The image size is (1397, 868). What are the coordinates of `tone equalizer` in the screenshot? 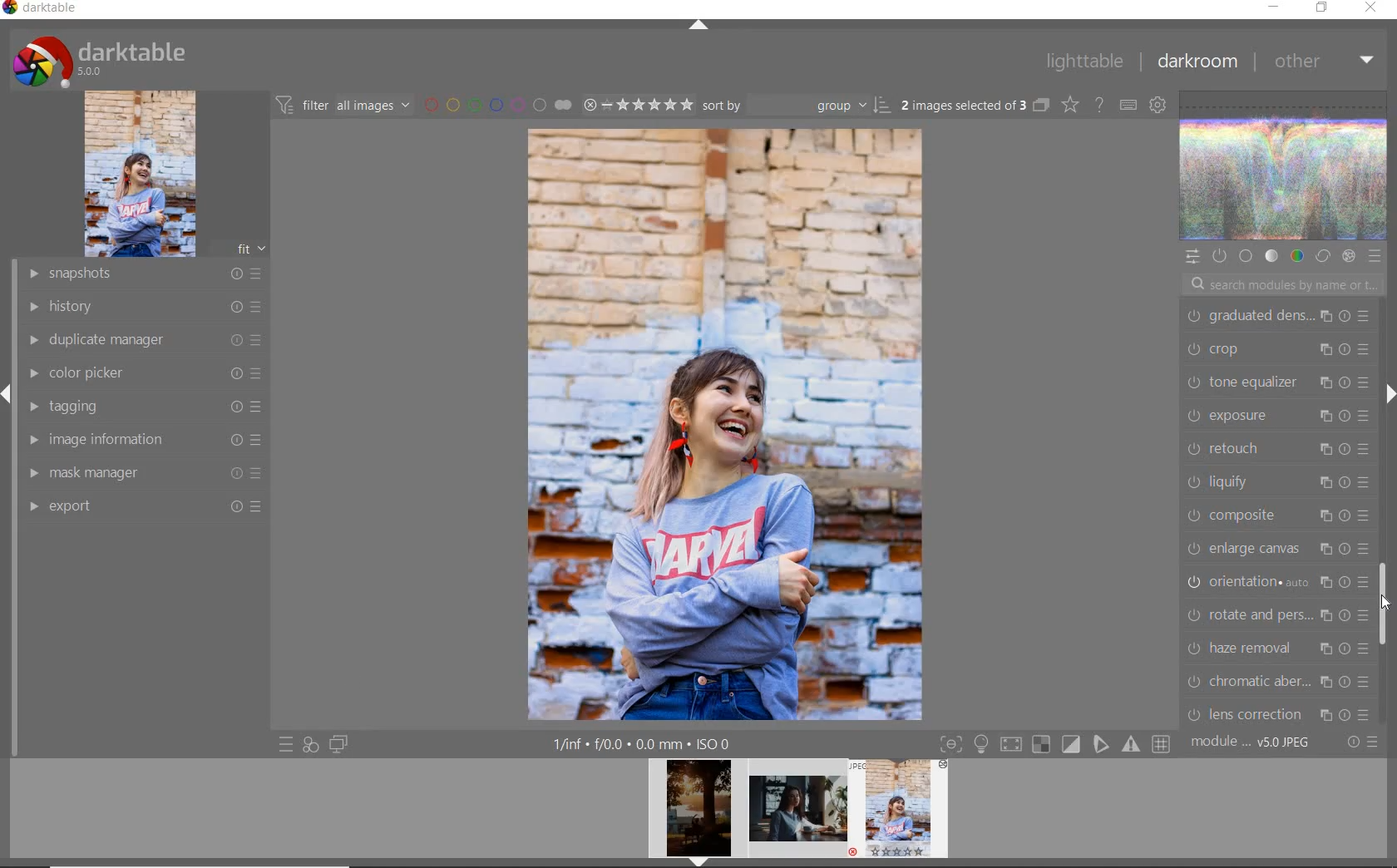 It's located at (1276, 385).